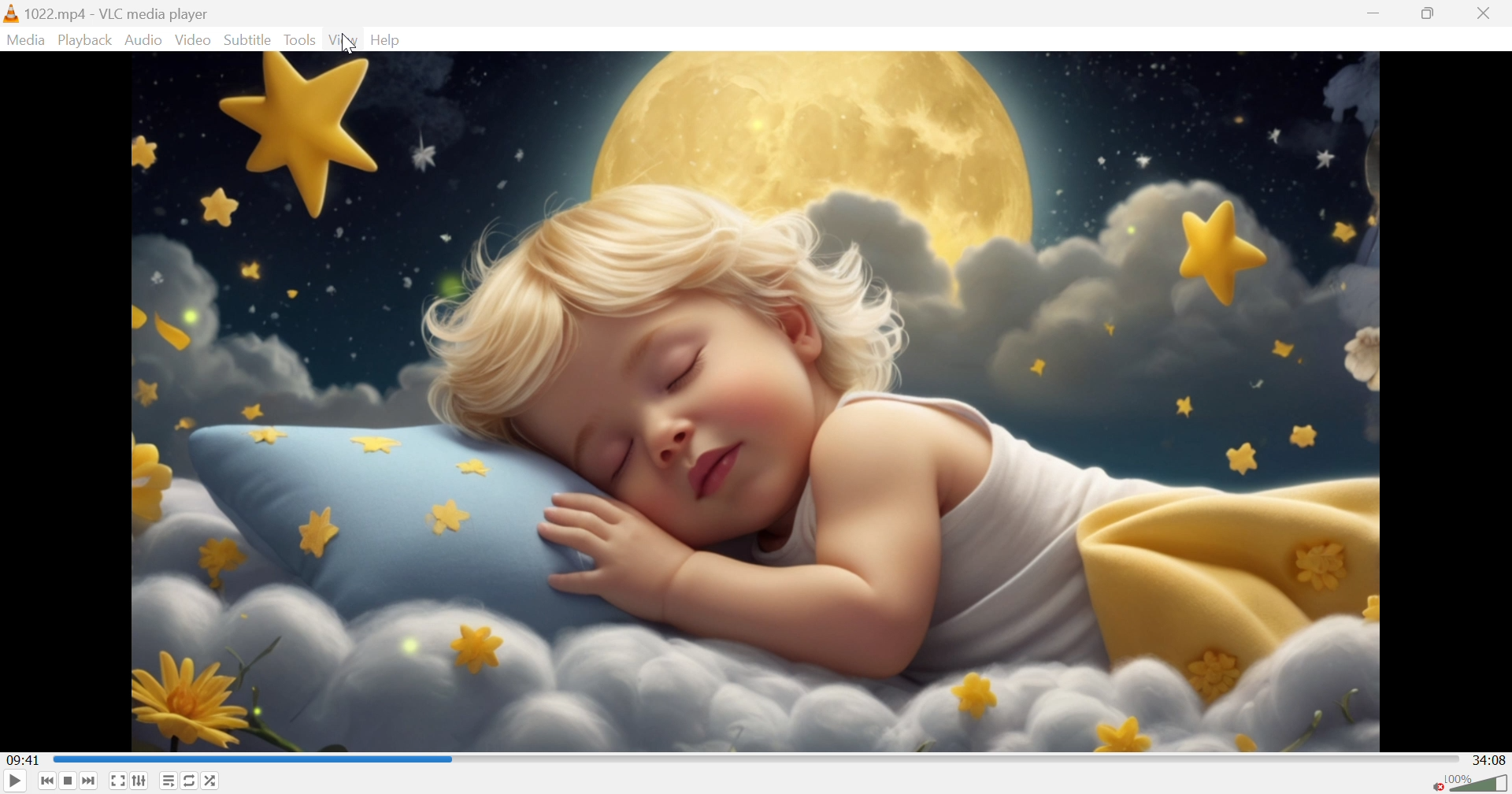  What do you see at coordinates (84, 39) in the screenshot?
I see `Playback` at bounding box center [84, 39].